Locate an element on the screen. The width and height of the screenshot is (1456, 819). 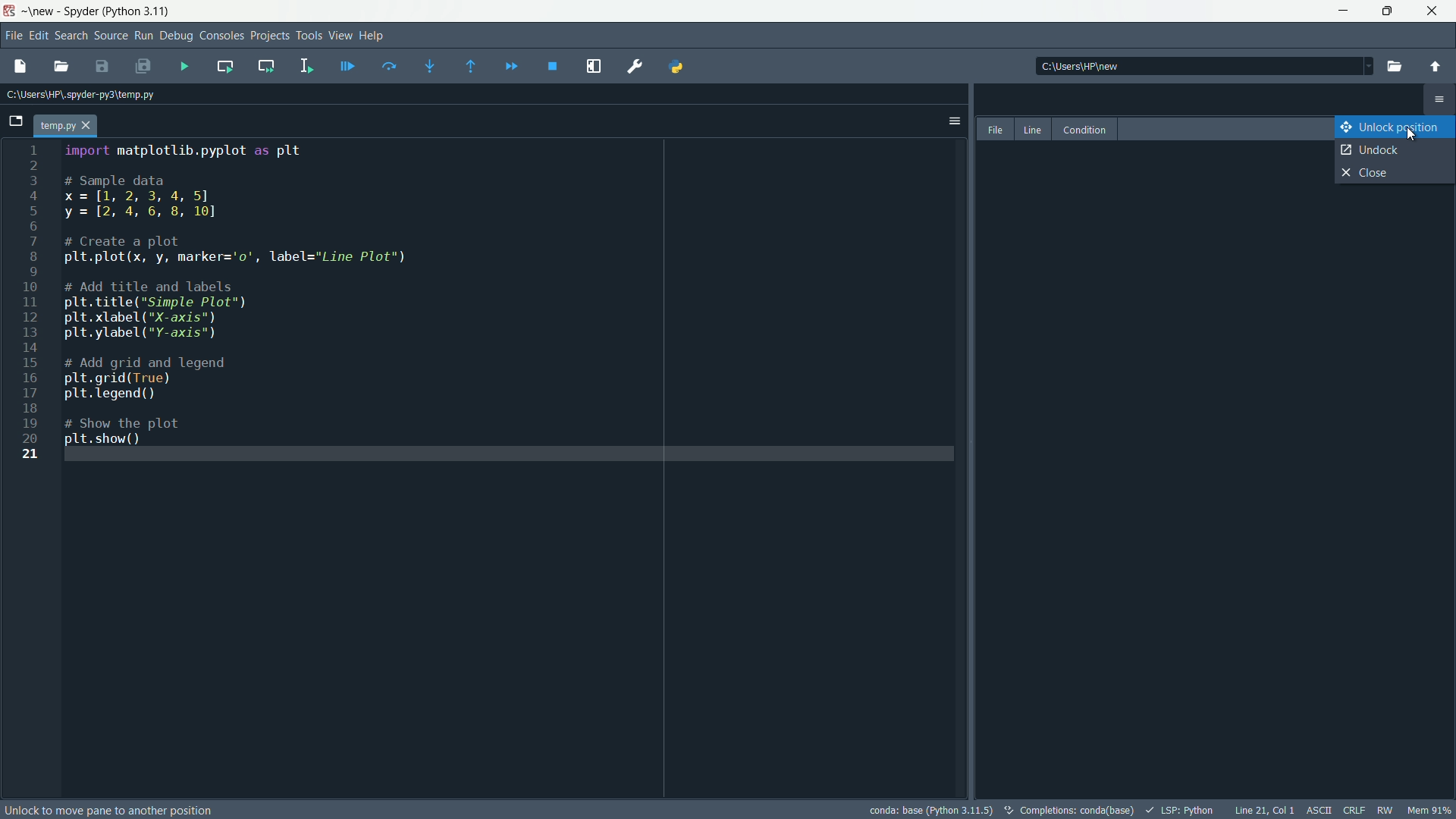
line 21, Col 1 is located at coordinates (1263, 810).